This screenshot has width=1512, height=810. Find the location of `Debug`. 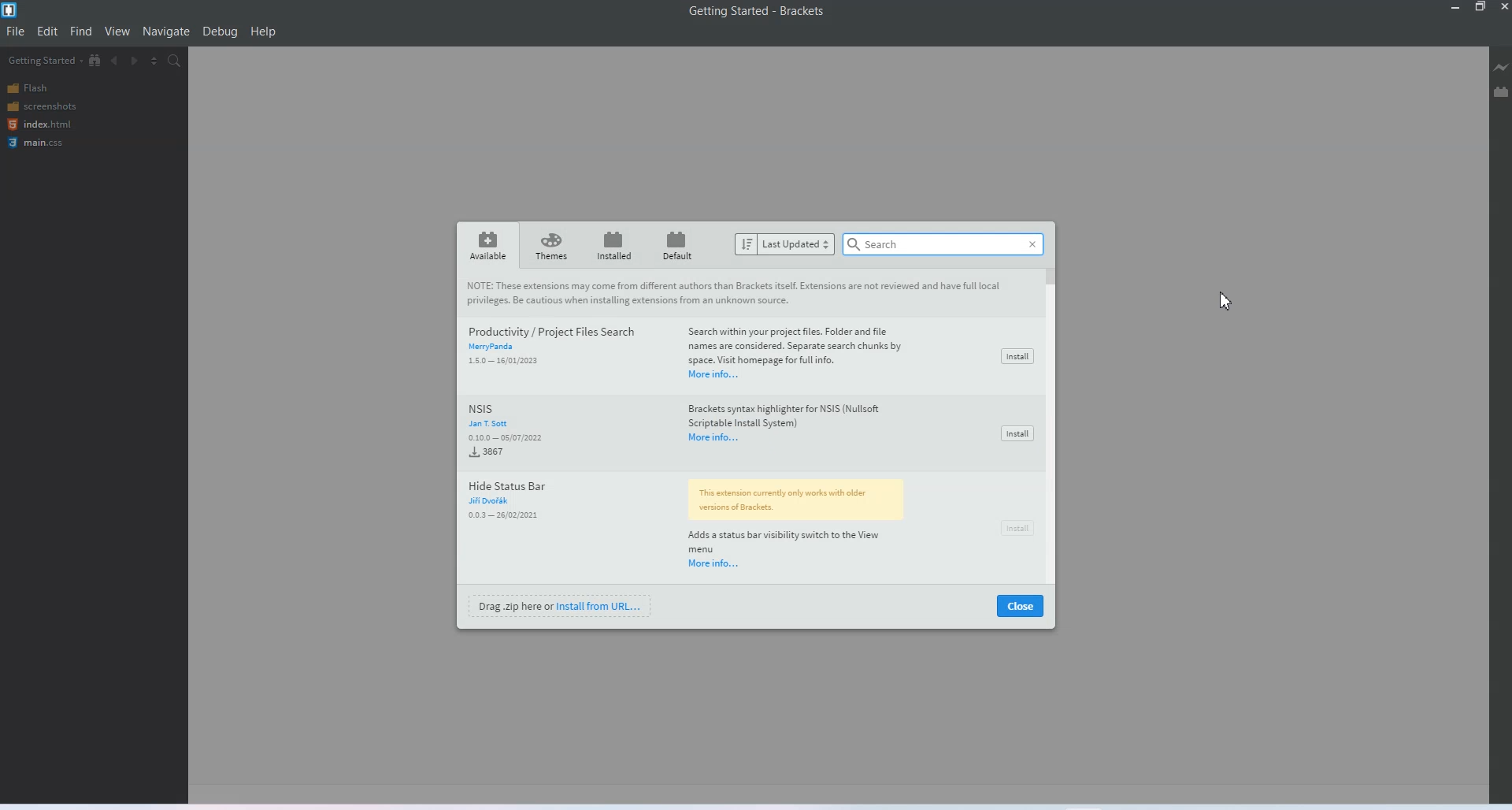

Debug is located at coordinates (220, 32).